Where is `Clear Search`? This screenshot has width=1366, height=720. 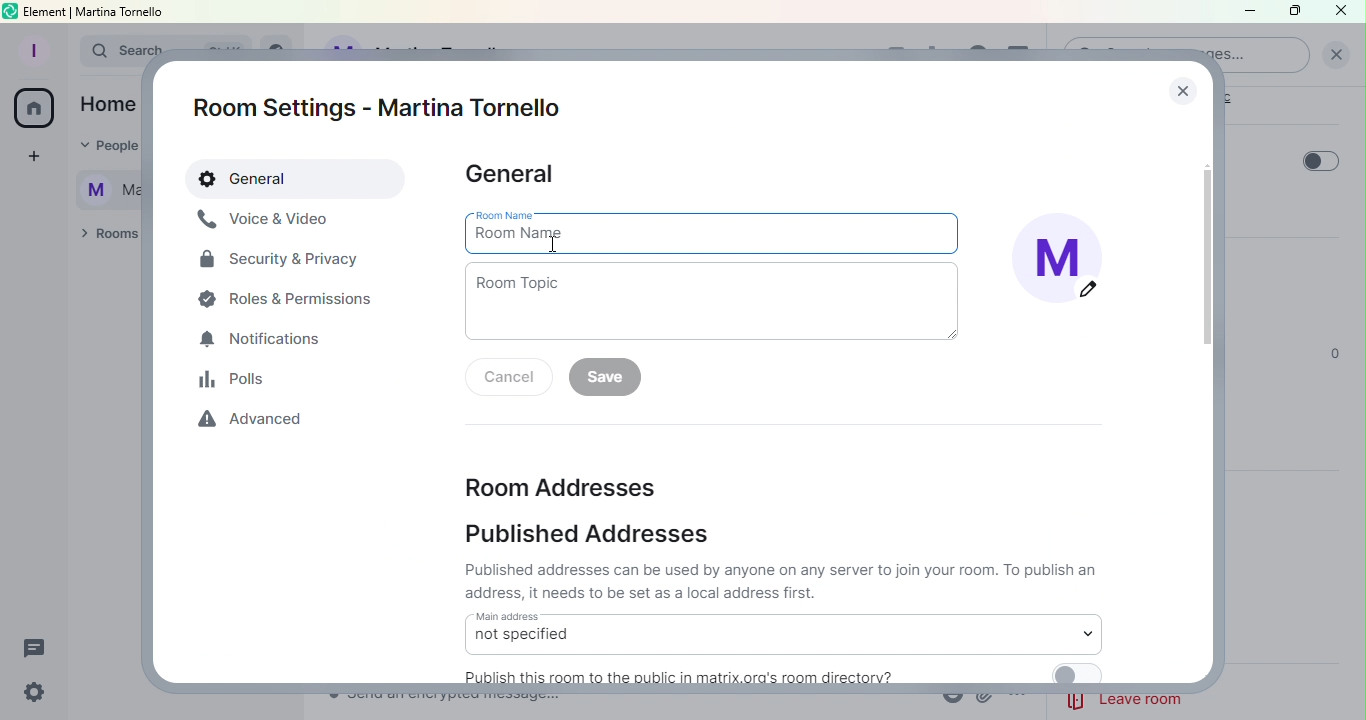 Clear Search is located at coordinates (1336, 55).